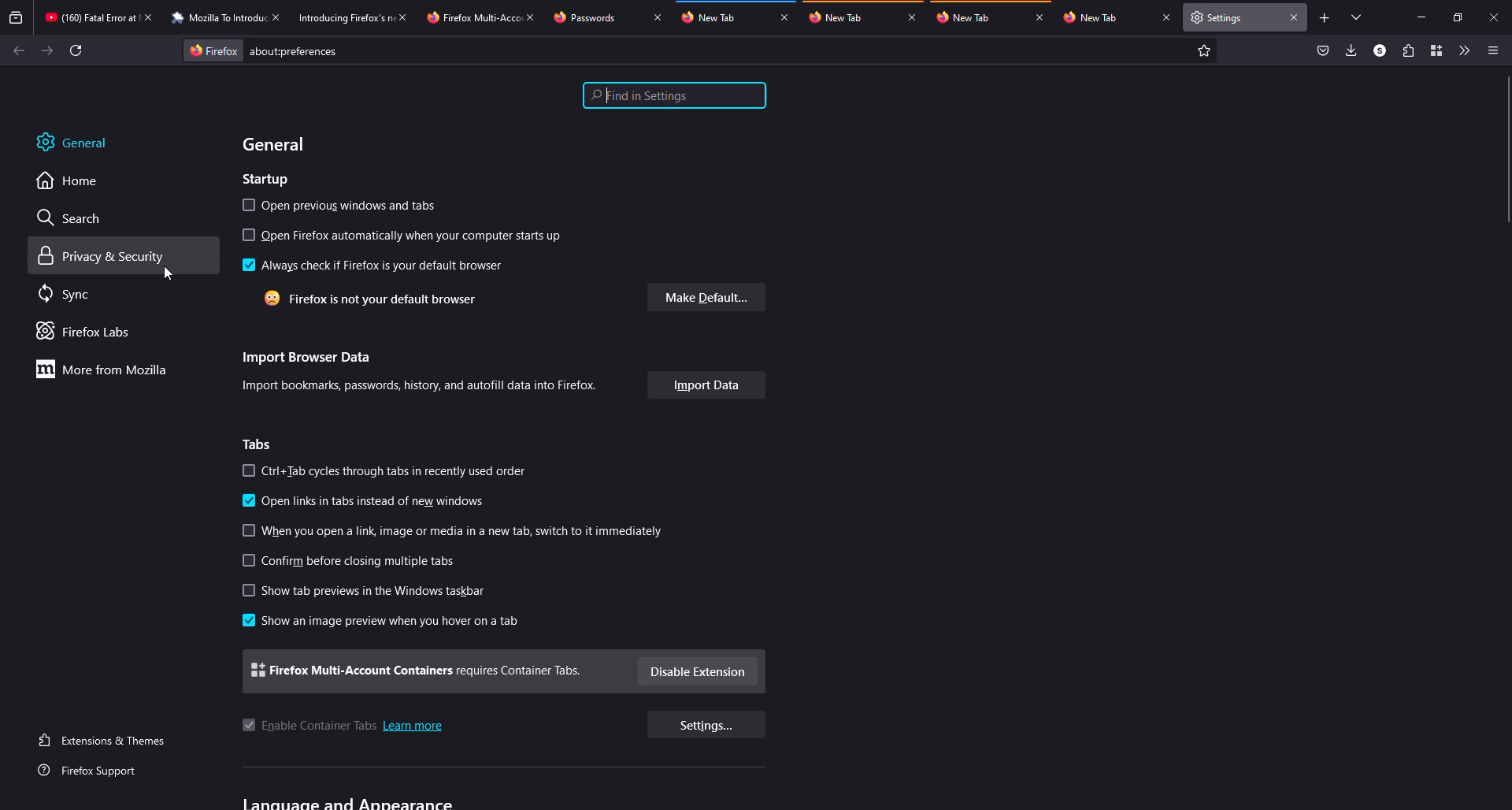 The image size is (1512, 810). Describe the element at coordinates (261, 443) in the screenshot. I see `tabs` at that location.